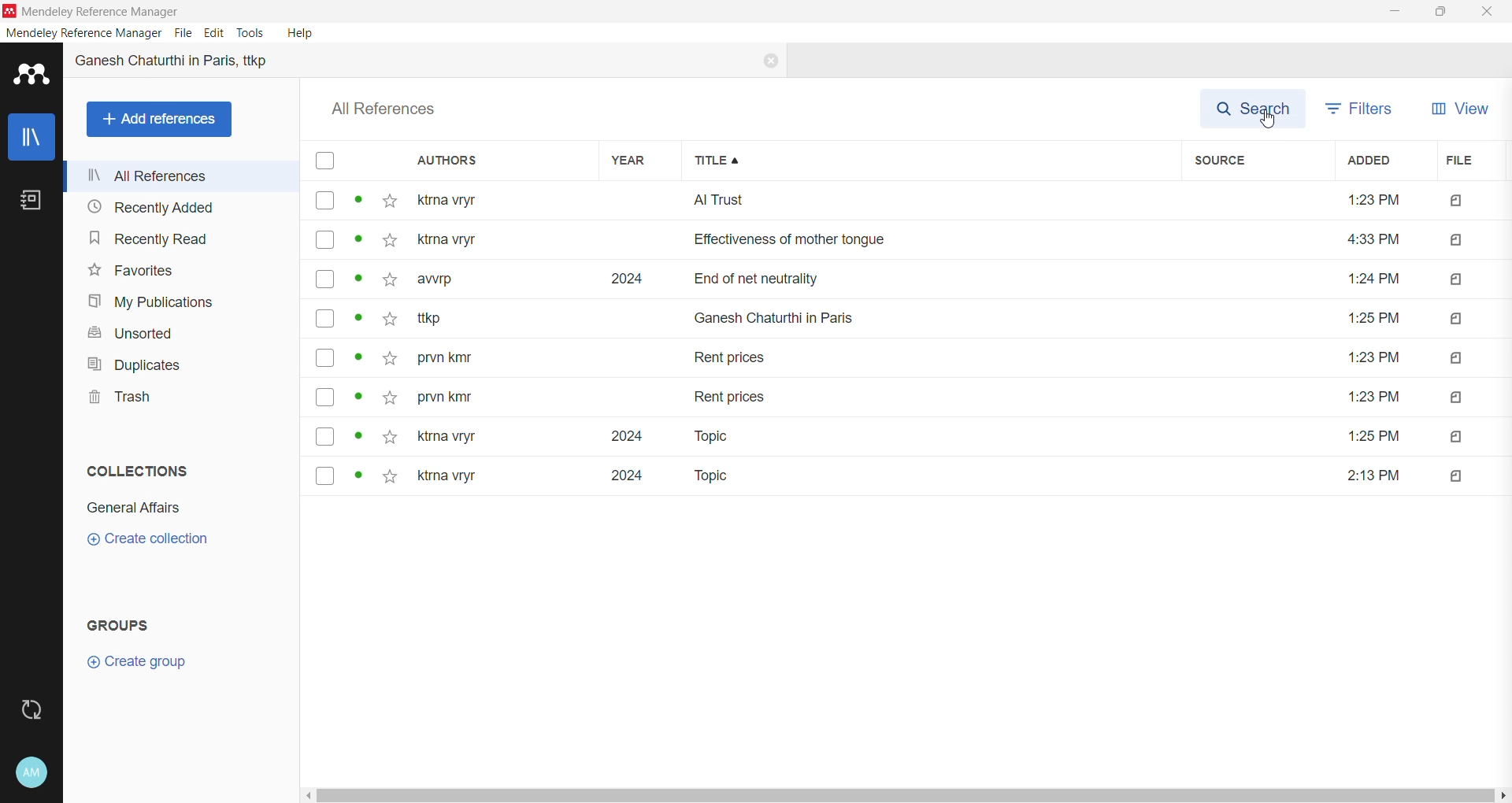 The height and width of the screenshot is (803, 1512). I want to click on Minimize, so click(1391, 13).